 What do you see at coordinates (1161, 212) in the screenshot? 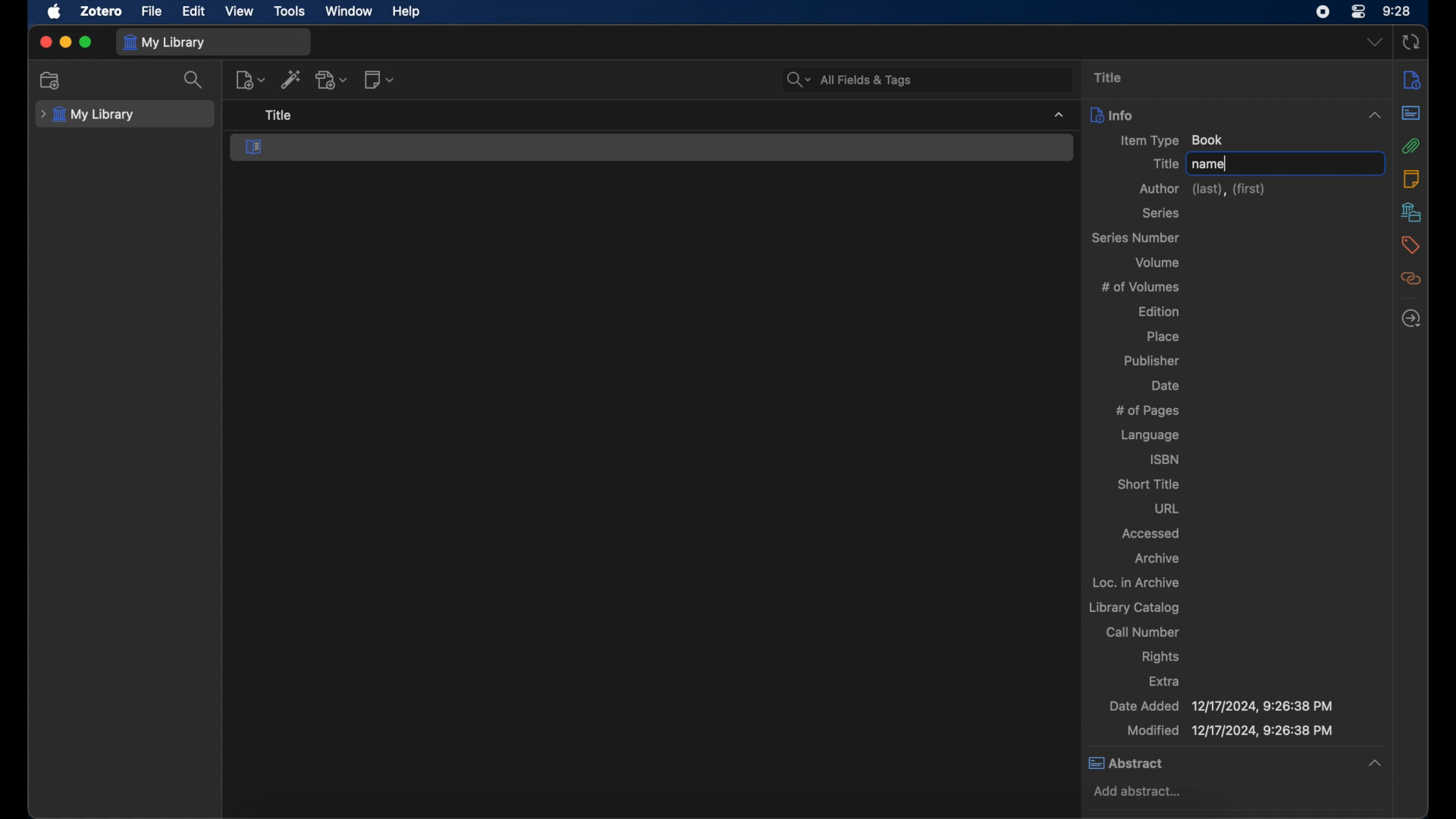
I see `series` at bounding box center [1161, 212].